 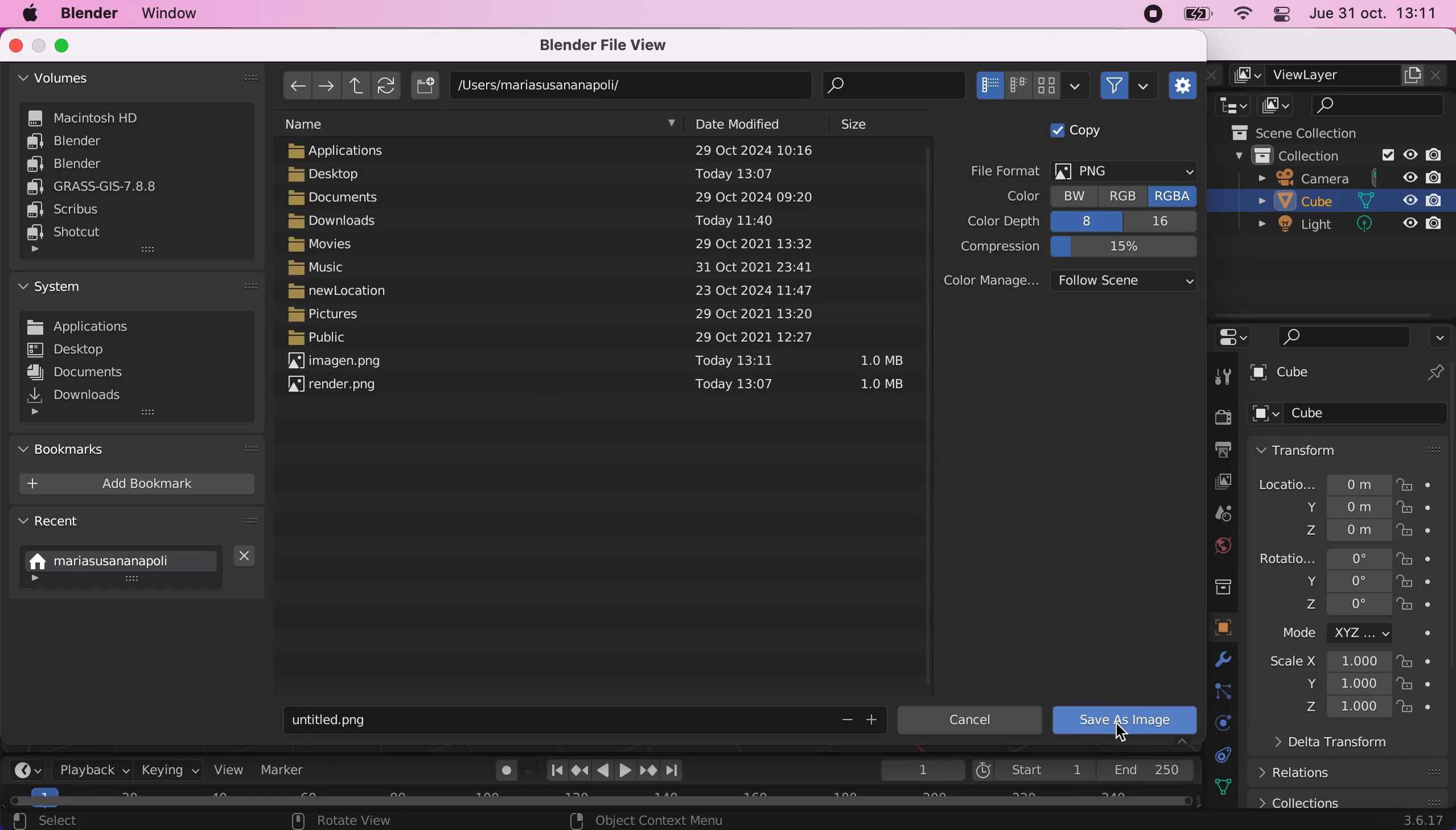 I want to click on search, so click(x=1380, y=105).